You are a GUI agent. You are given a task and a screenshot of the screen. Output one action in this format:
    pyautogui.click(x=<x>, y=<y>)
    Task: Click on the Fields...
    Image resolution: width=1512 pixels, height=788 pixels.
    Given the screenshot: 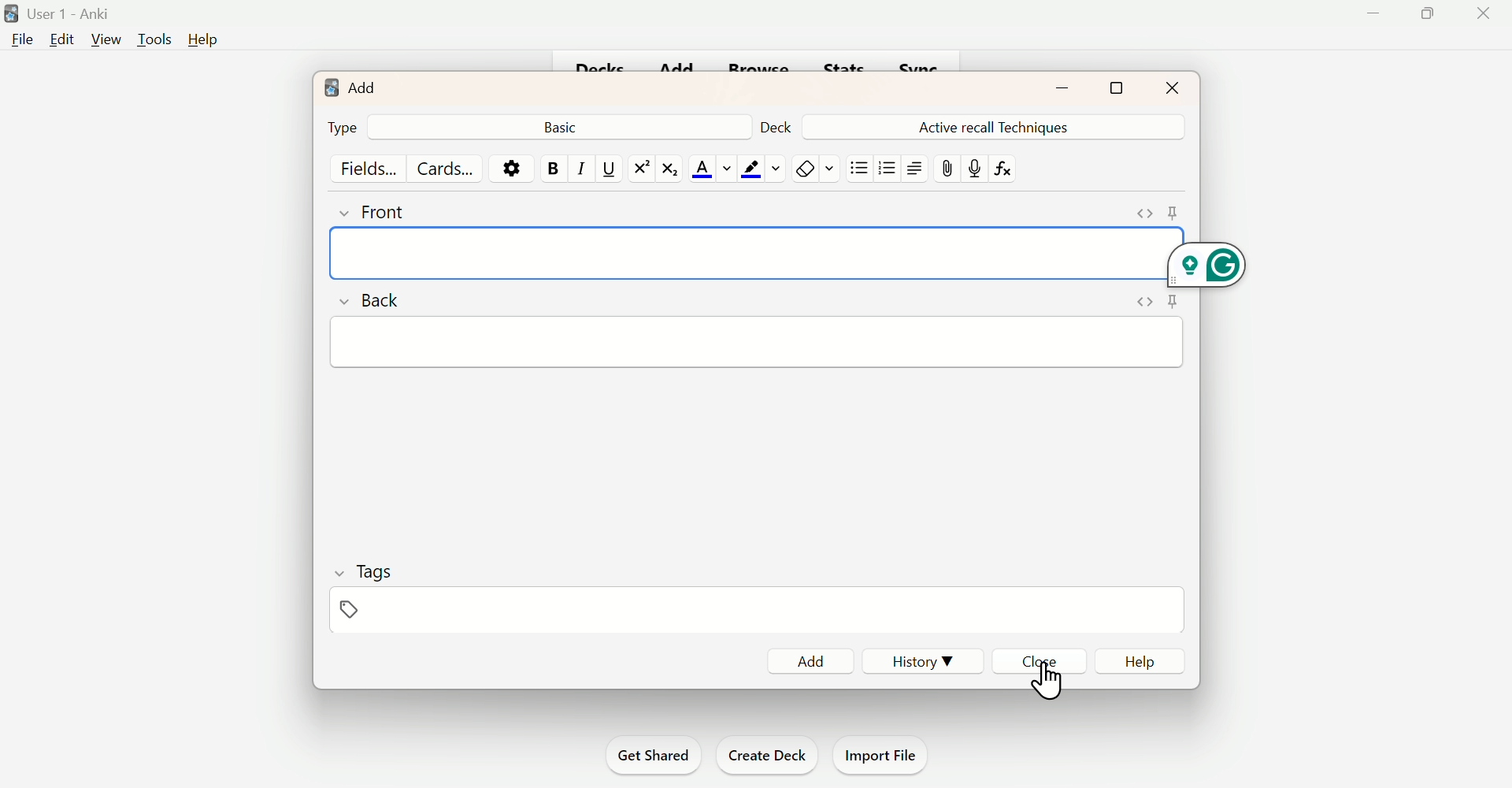 What is the action you would take?
    pyautogui.click(x=368, y=167)
    